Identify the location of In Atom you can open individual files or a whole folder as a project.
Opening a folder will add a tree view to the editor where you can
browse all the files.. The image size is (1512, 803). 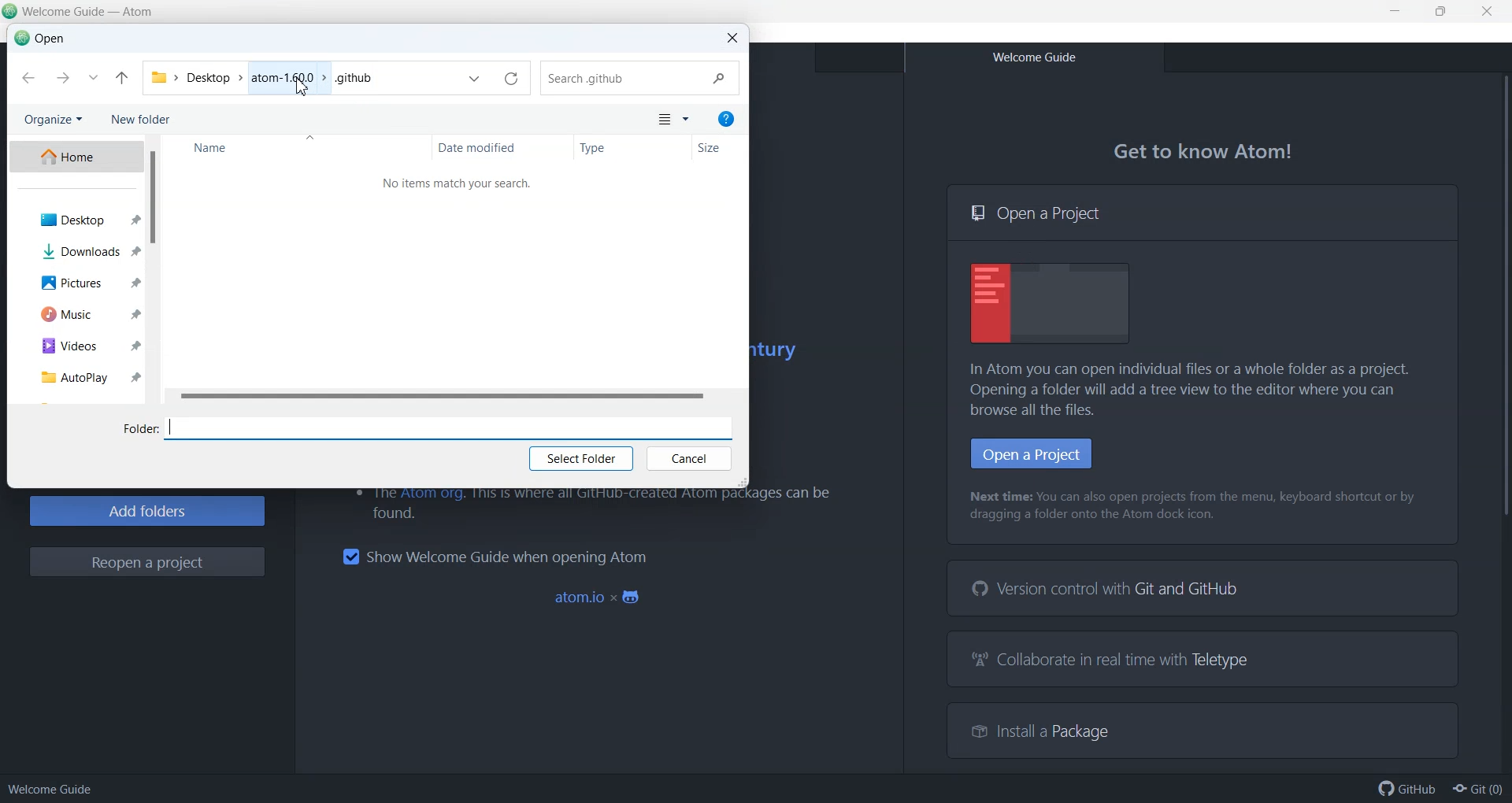
(1197, 390).